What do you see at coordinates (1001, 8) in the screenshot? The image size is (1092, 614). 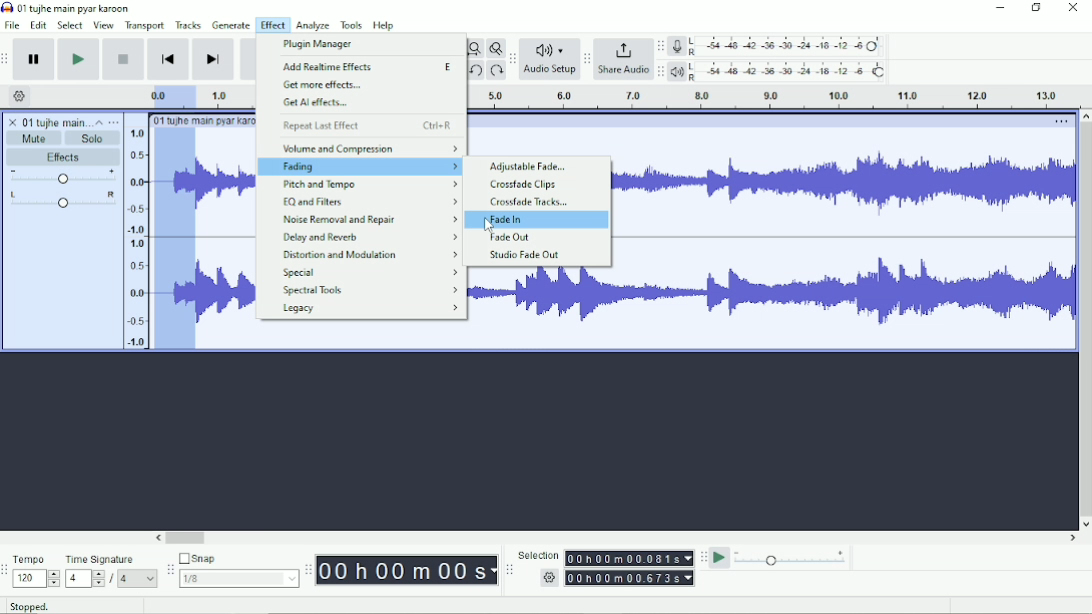 I see `Minimize` at bounding box center [1001, 8].